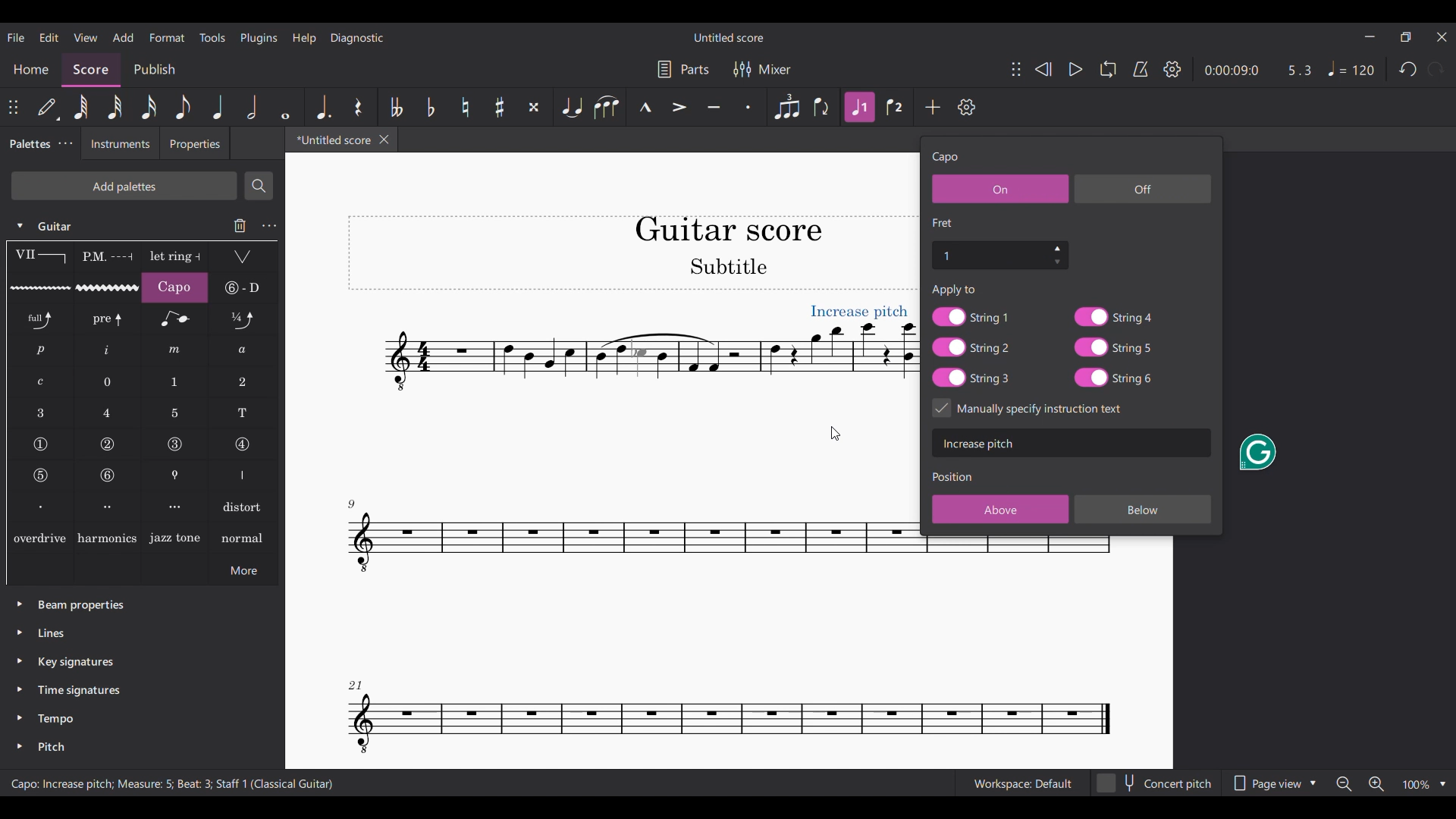  Describe the element at coordinates (786, 107) in the screenshot. I see `Tuplet` at that location.